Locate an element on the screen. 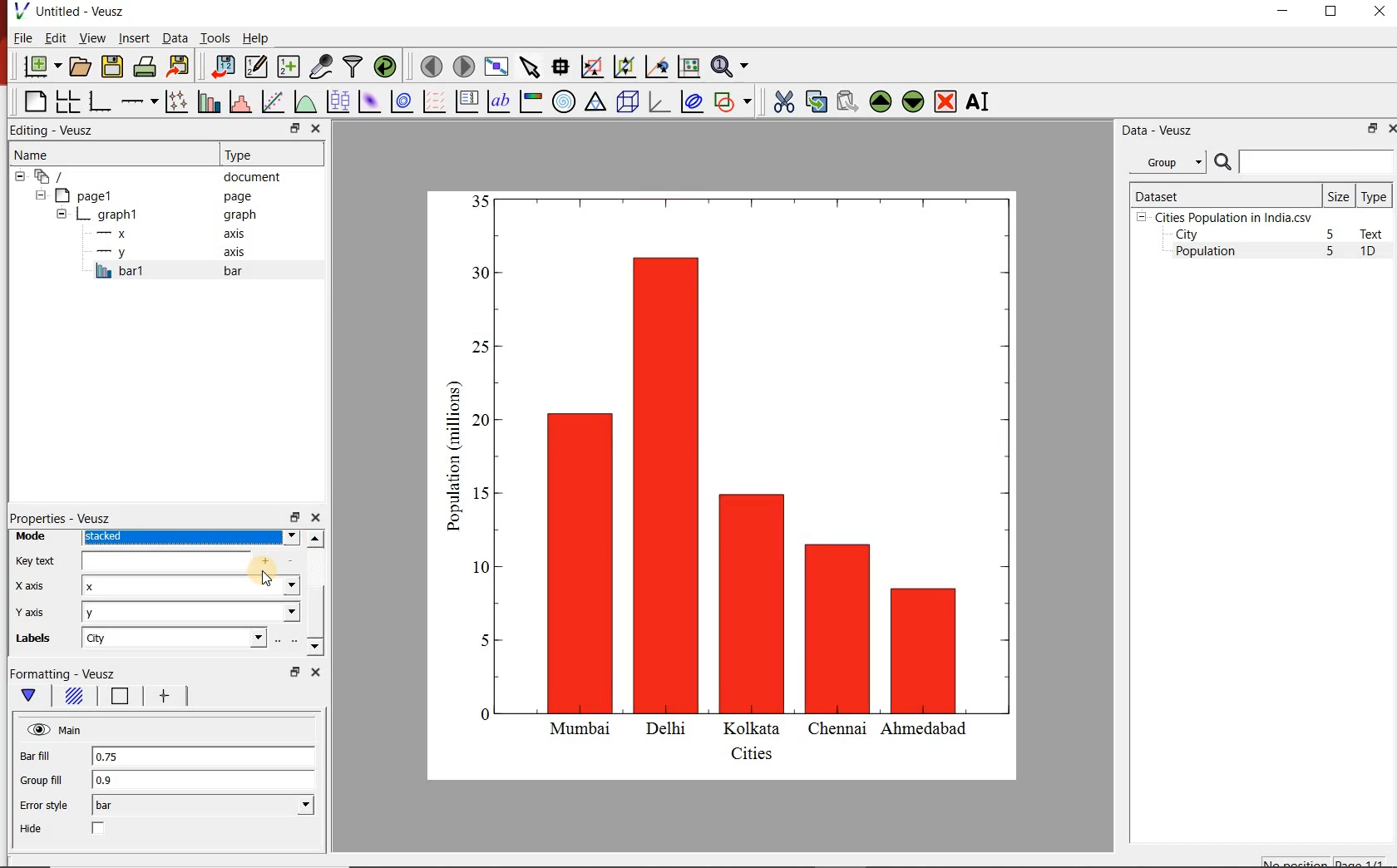 The image size is (1397, 868). fit a function to data is located at coordinates (272, 101).